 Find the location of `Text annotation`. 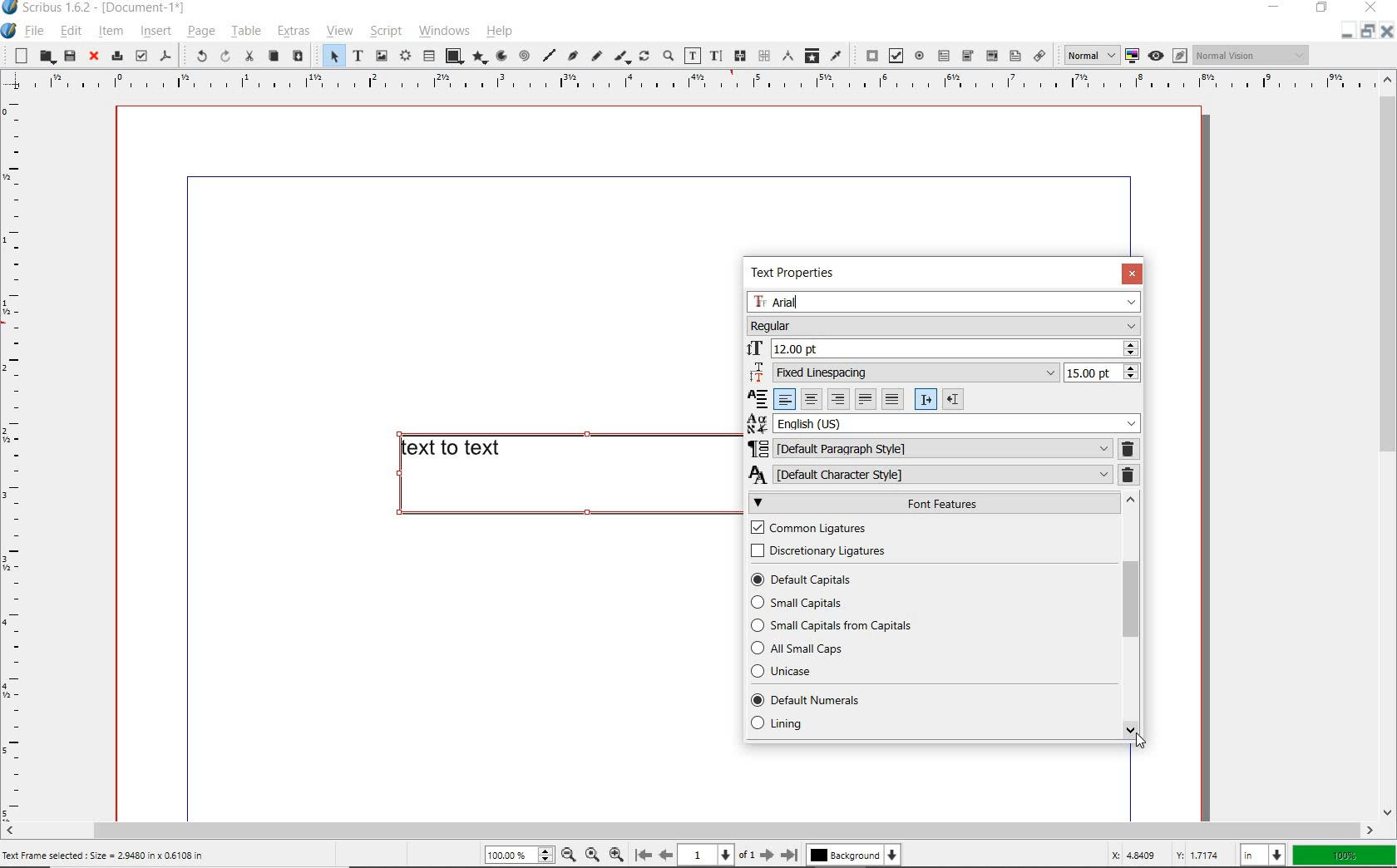

Text annotation is located at coordinates (1014, 57).